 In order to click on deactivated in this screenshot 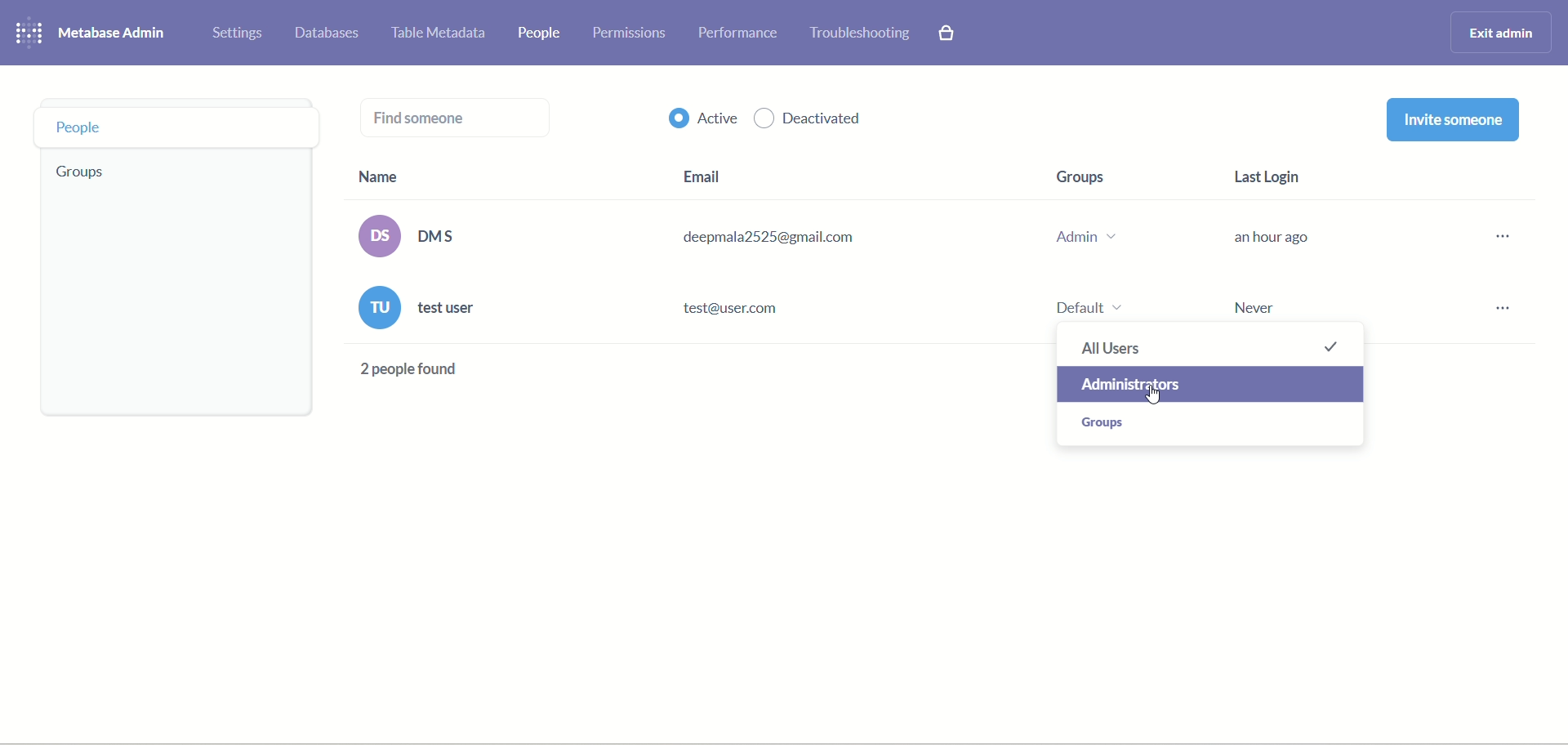, I will do `click(811, 120)`.